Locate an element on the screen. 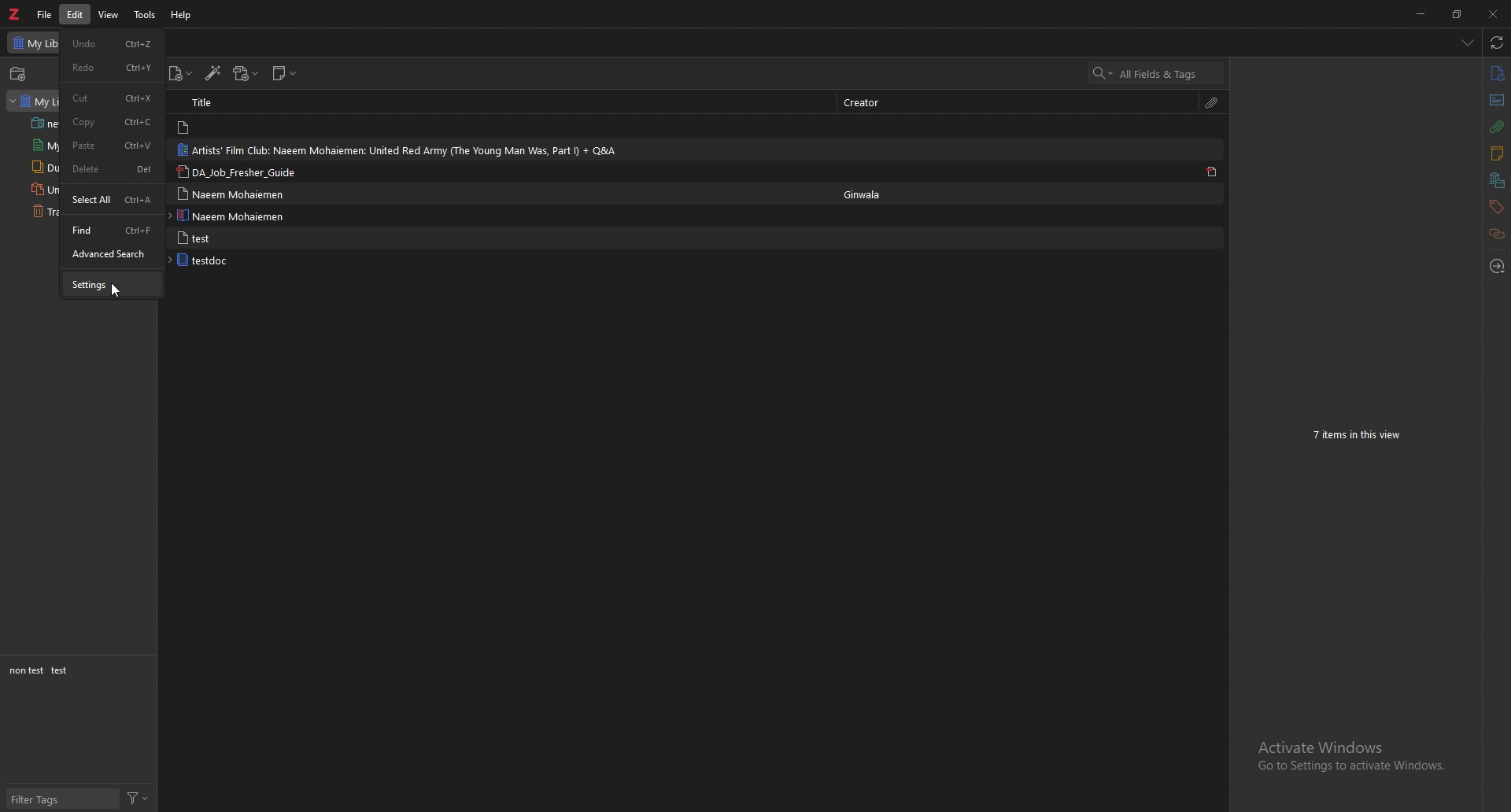 Image resolution: width=1511 pixels, height=812 pixels. attachment is located at coordinates (1213, 101).